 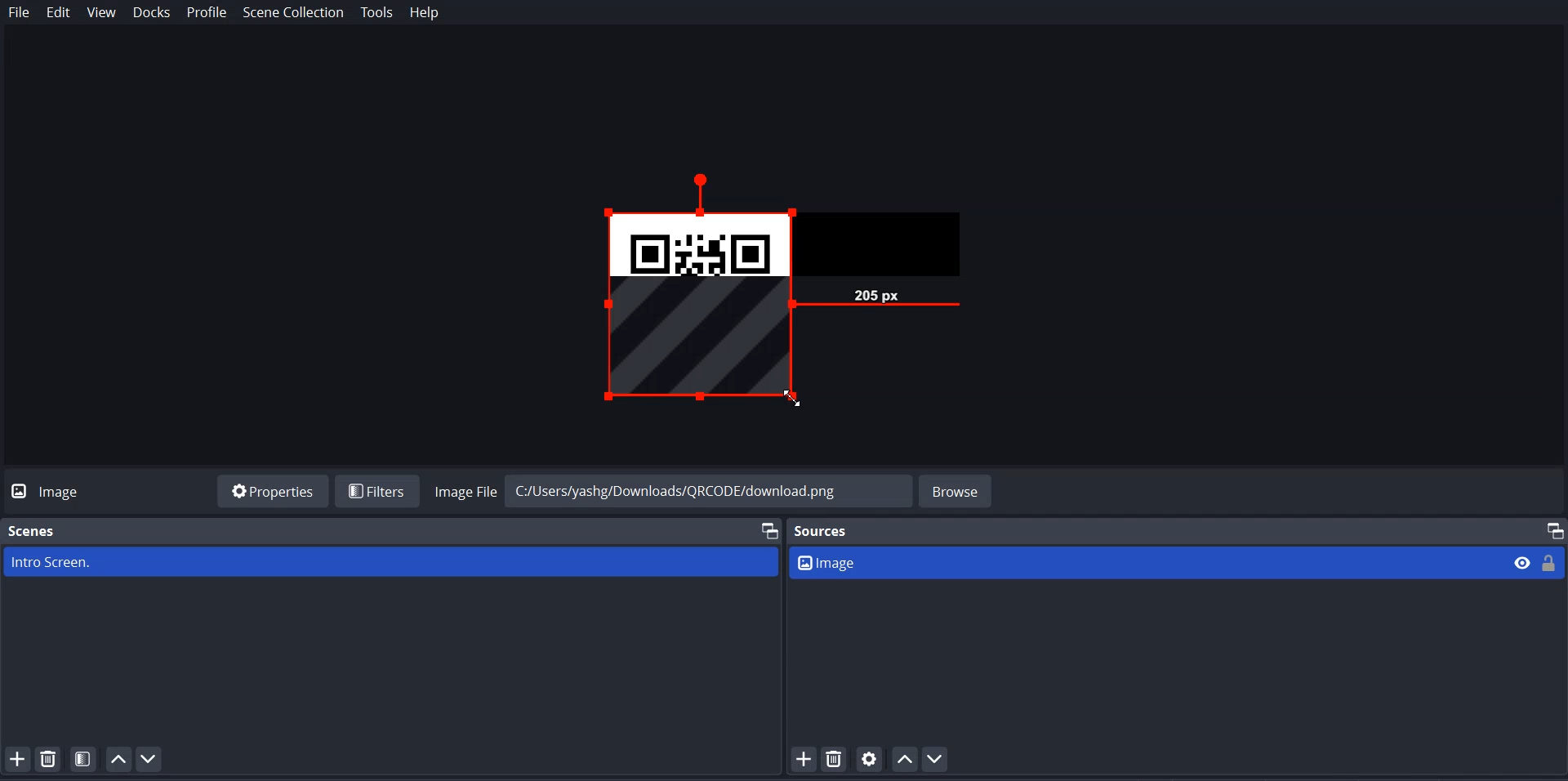 What do you see at coordinates (1147, 562) in the screenshot?
I see `Image` at bounding box center [1147, 562].